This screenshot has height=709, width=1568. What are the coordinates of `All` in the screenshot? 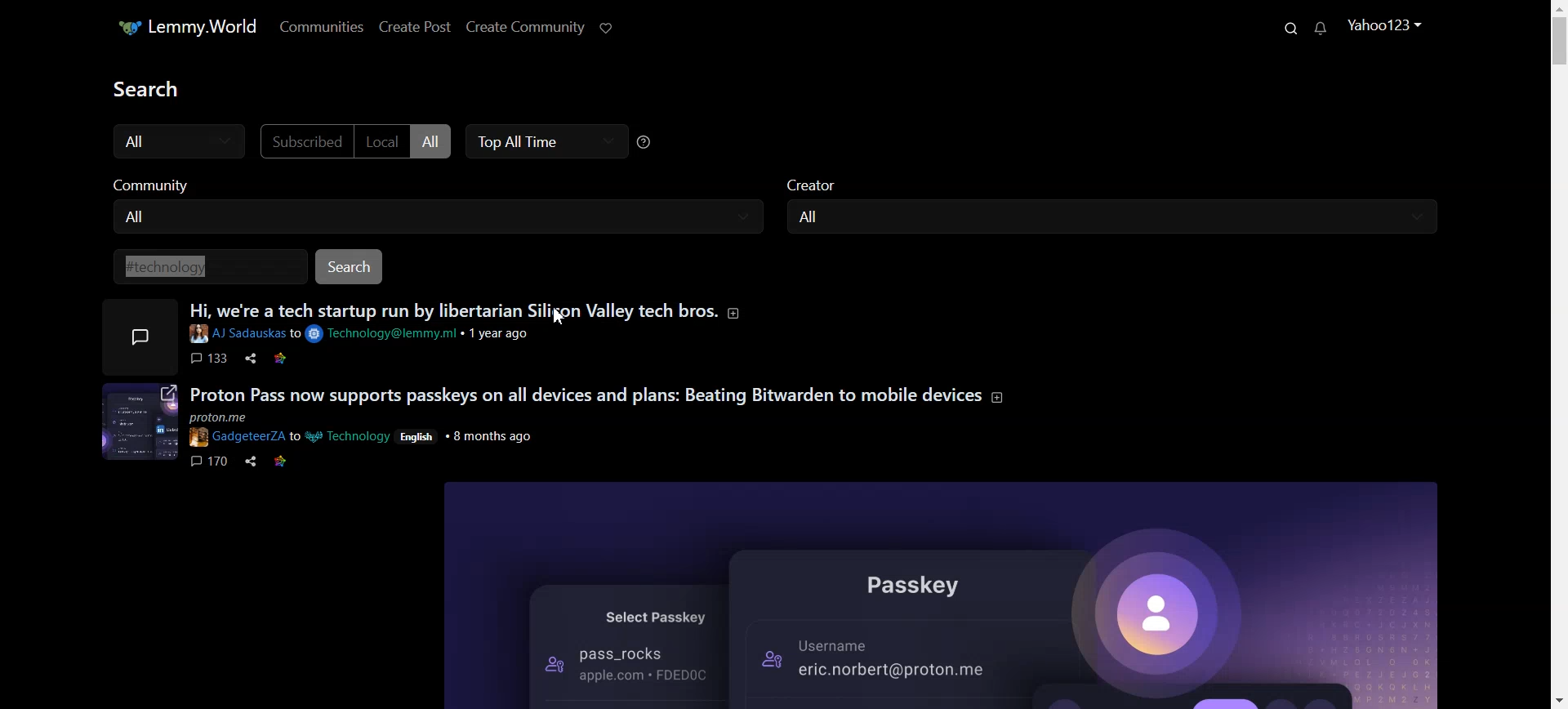 It's located at (177, 141).